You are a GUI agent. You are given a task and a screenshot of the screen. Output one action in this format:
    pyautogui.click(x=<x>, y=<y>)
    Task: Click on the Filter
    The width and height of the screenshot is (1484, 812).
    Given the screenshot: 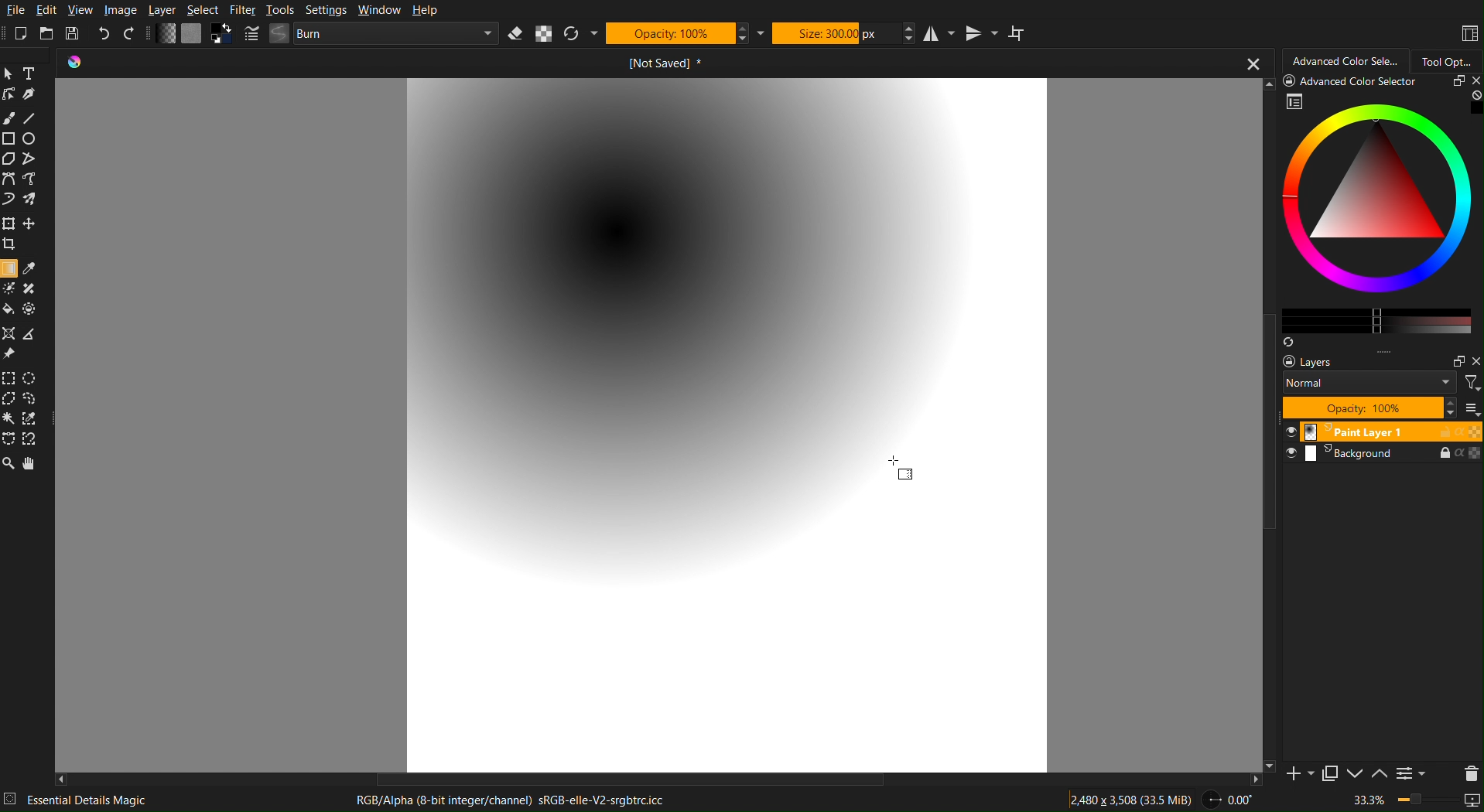 What is the action you would take?
    pyautogui.click(x=242, y=10)
    